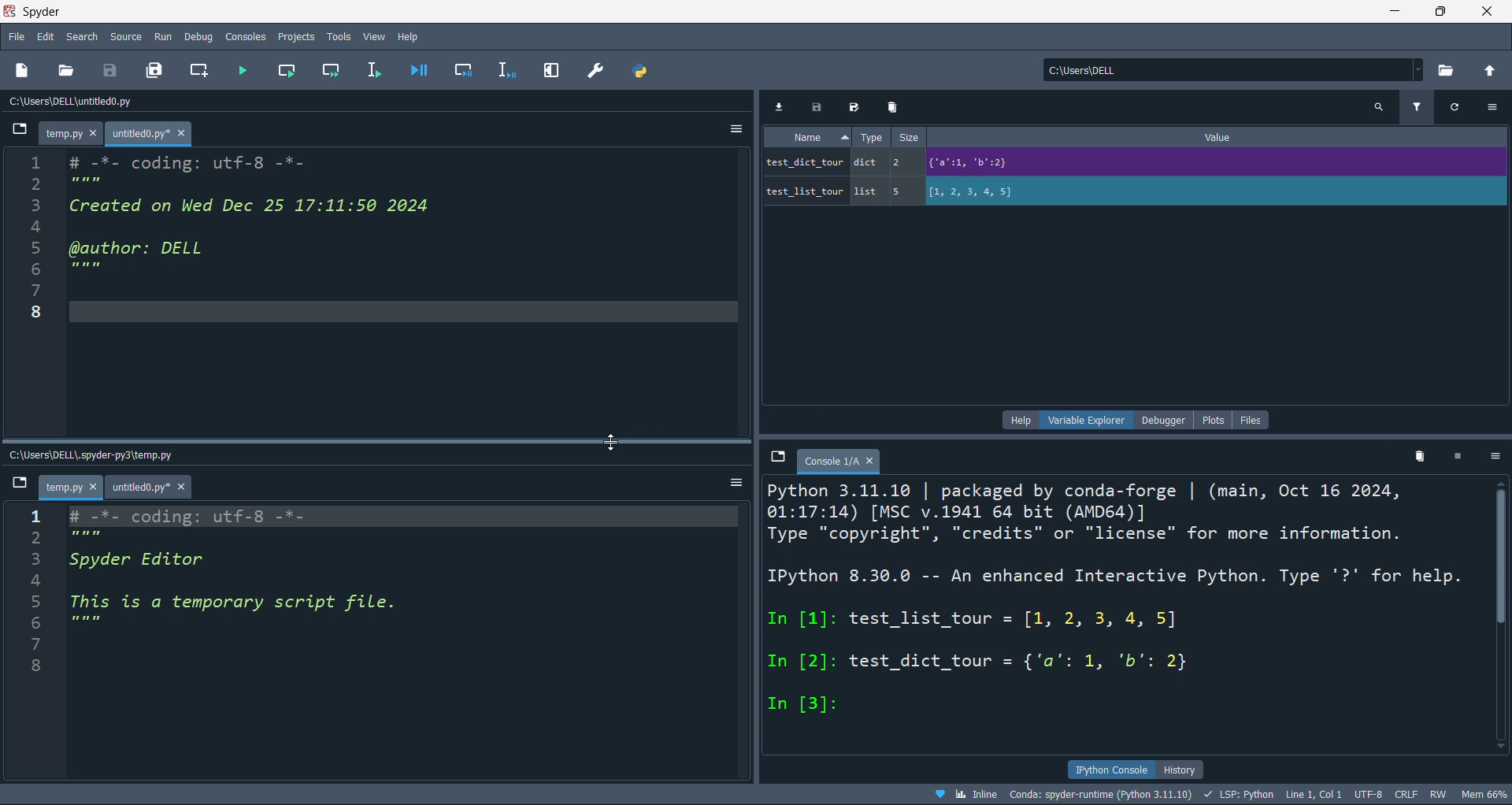 This screenshot has height=805, width=1512. What do you see at coordinates (1117, 600) in the screenshot?
I see `Python 5.11.10 | packaged by conda-torge | (main, Oct lb 2024,
01:17:14) [MSC v.1941 64 bit (AMD64)]

Type "copyright", "credits" or "license" for more information.
IPython 8.30.0 -- An enhanced Interactive Python. Type '?' for help.
In [1]: test_list_tour = [1, 2, 3, 4, 5]

In [2]: test_dict_tour = {‘a': 1, 'b': 2}

In [3]:` at bounding box center [1117, 600].